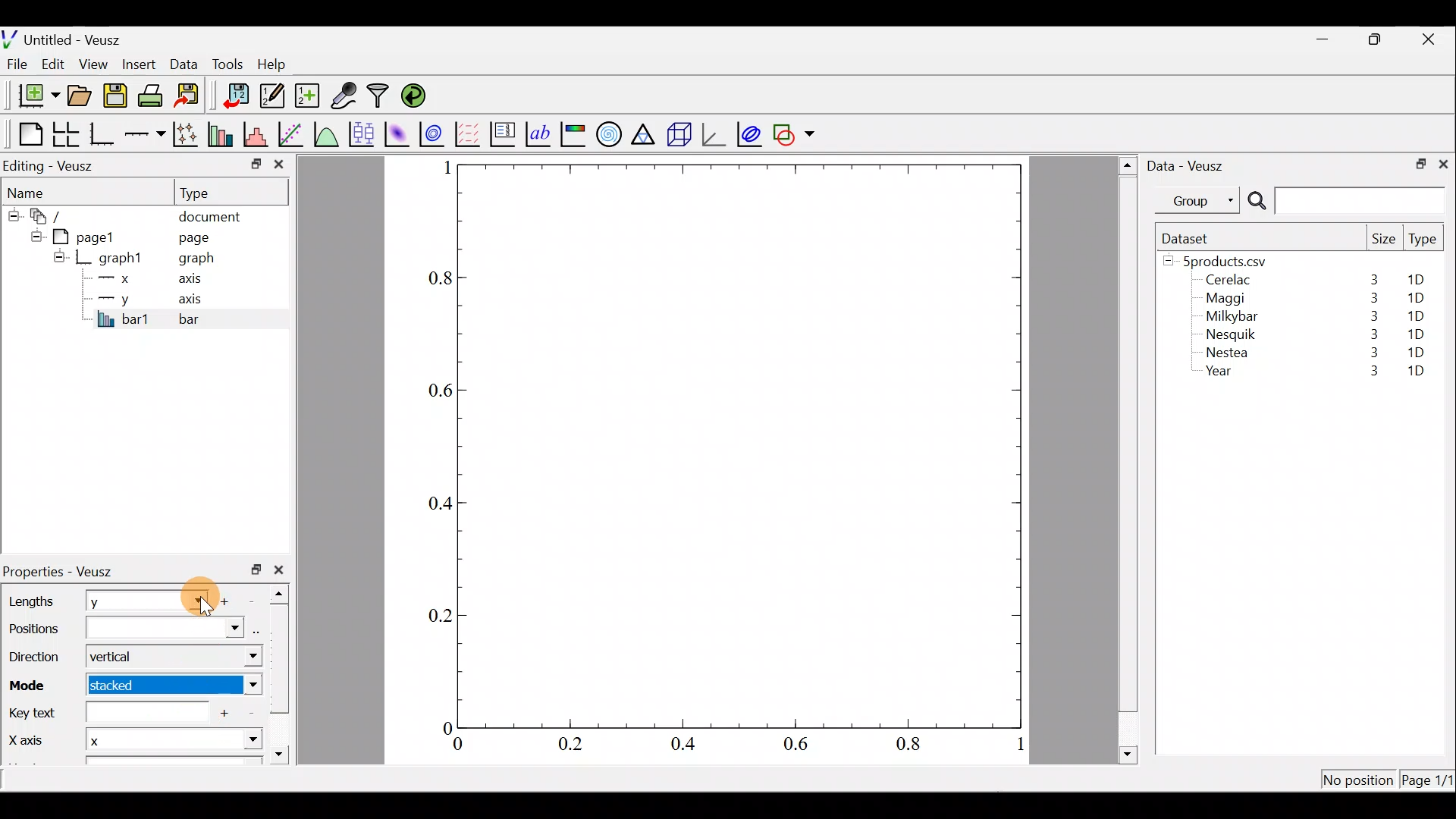 The image size is (1456, 819). Describe the element at coordinates (103, 134) in the screenshot. I see `Base graph` at that location.